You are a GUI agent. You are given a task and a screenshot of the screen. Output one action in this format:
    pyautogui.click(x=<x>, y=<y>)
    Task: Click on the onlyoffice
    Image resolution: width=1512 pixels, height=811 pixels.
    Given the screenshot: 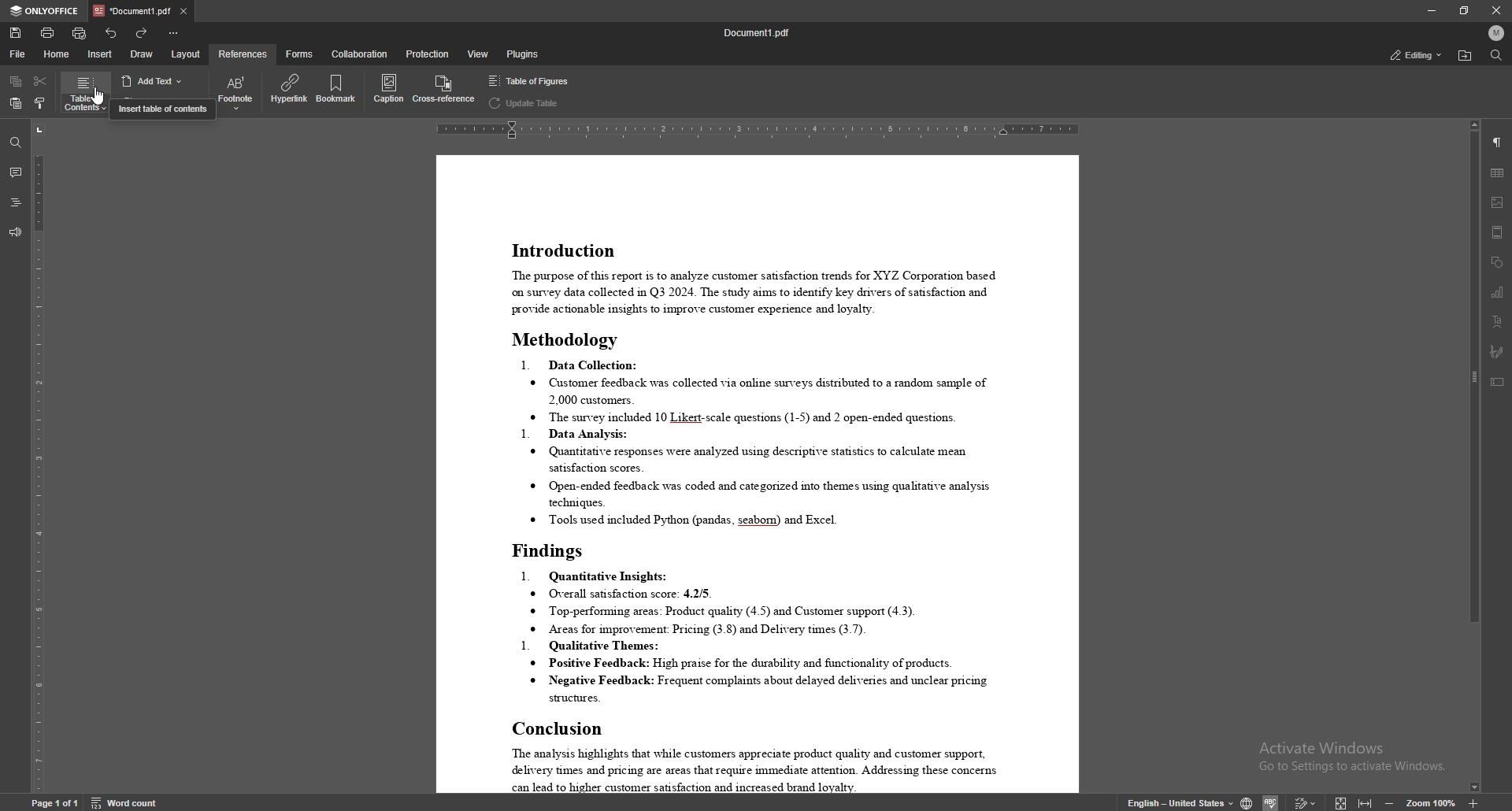 What is the action you would take?
    pyautogui.click(x=45, y=11)
    